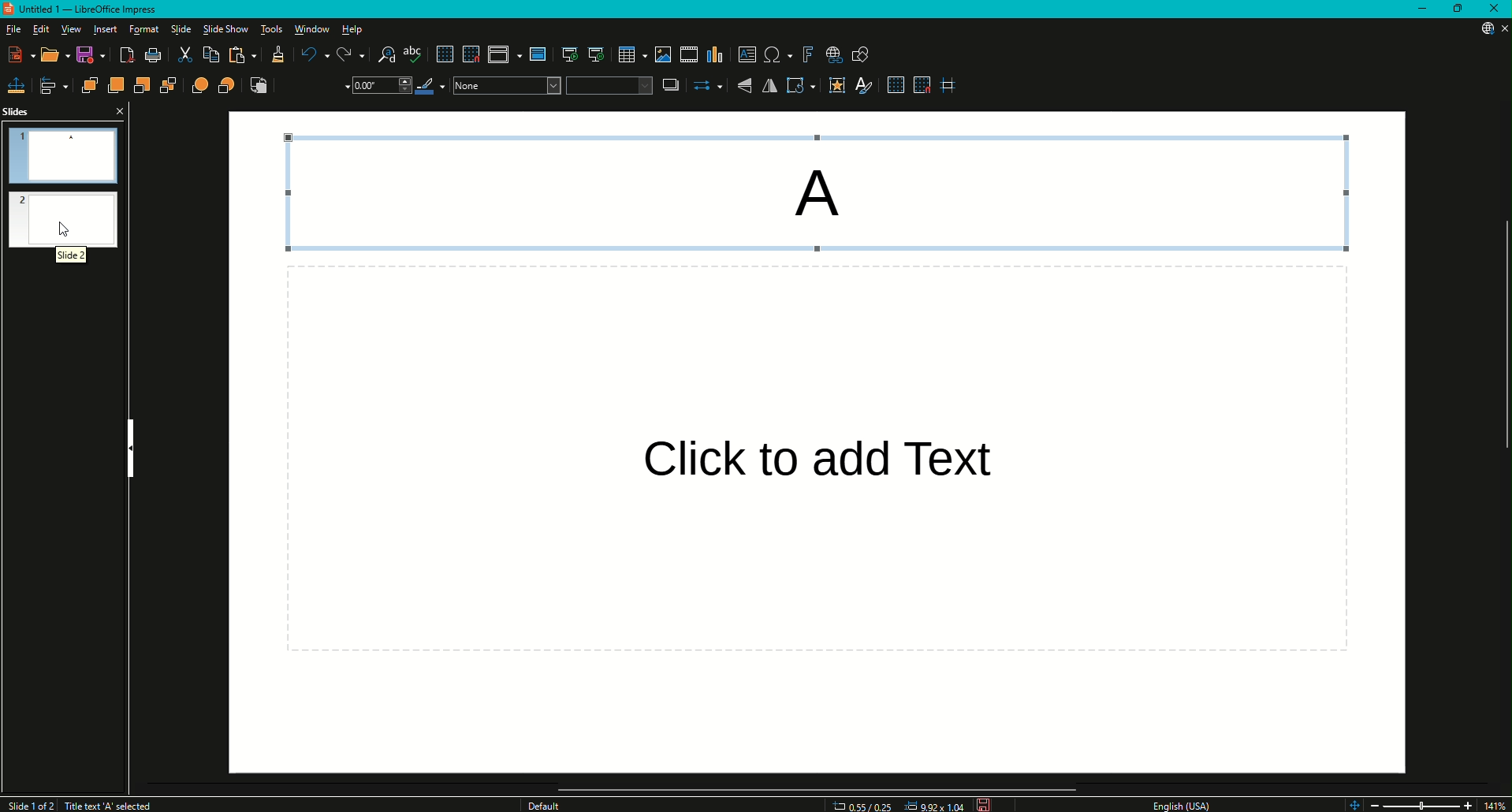 This screenshot has width=1512, height=812. Describe the element at coordinates (240, 57) in the screenshot. I see `Paste` at that location.